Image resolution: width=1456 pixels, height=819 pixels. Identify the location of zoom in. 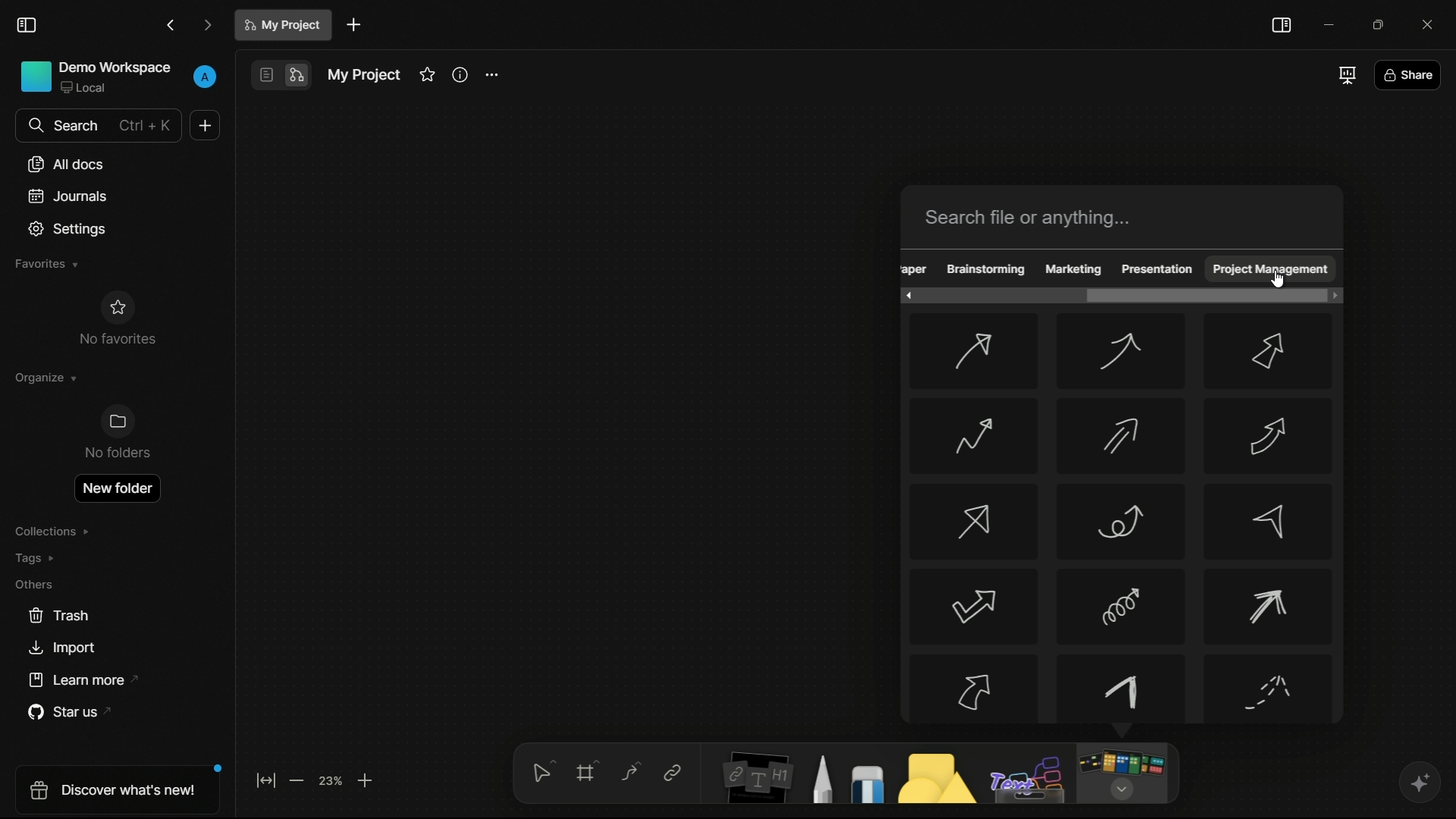
(366, 780).